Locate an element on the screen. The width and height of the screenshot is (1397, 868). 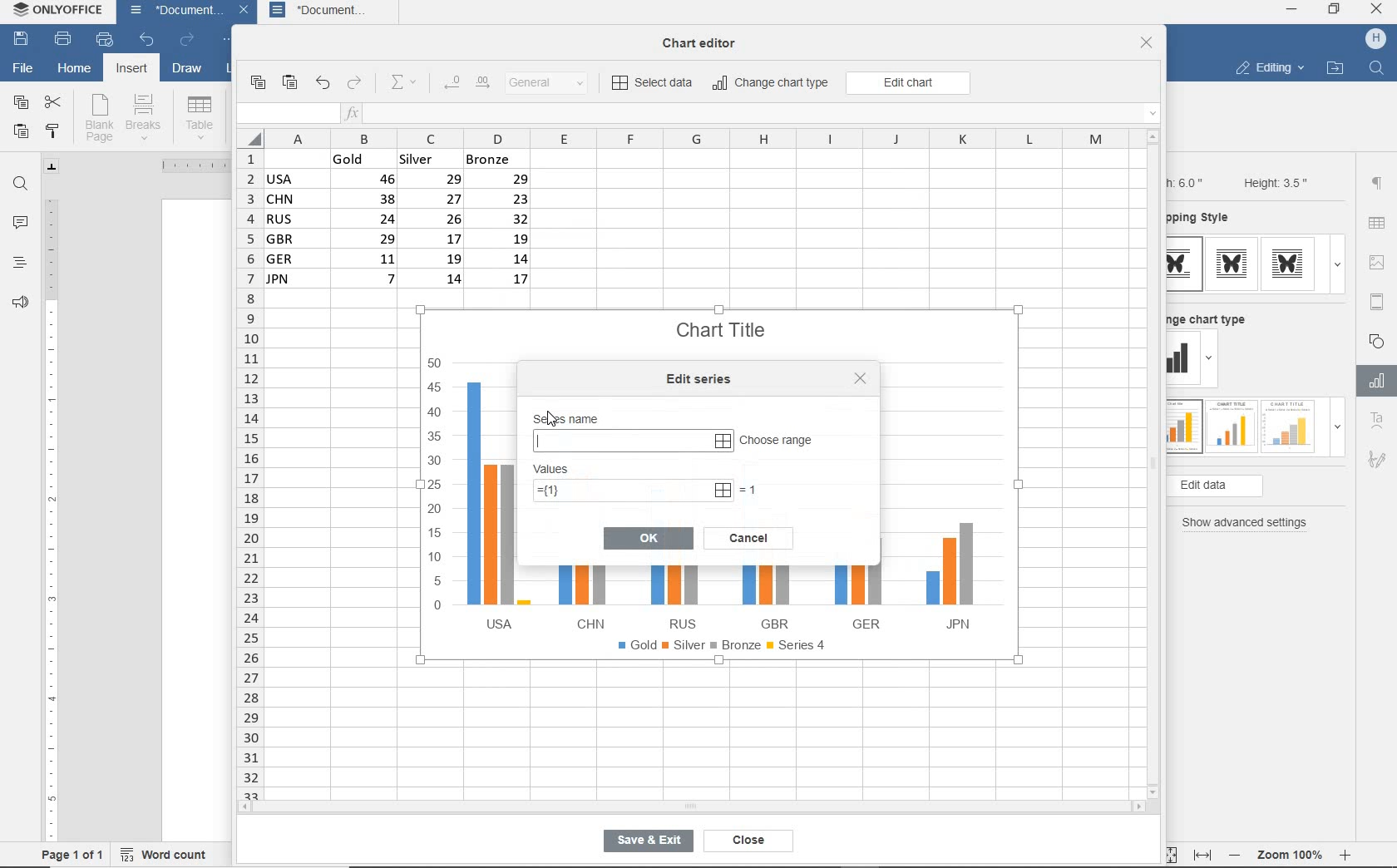
type 1 is located at coordinates (1185, 264).